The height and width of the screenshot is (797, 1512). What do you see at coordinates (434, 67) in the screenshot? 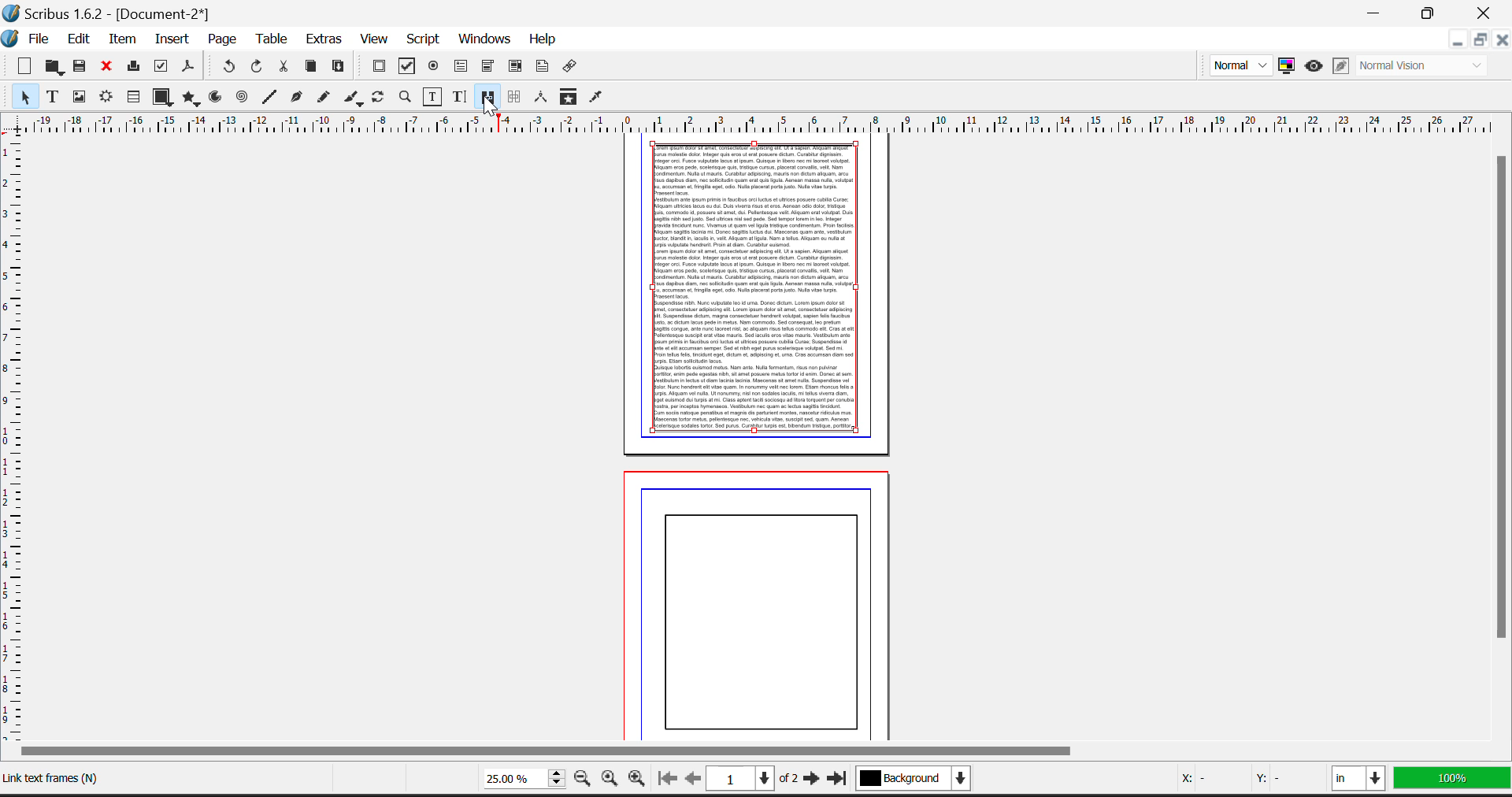
I see `PDF Radio Button` at bounding box center [434, 67].